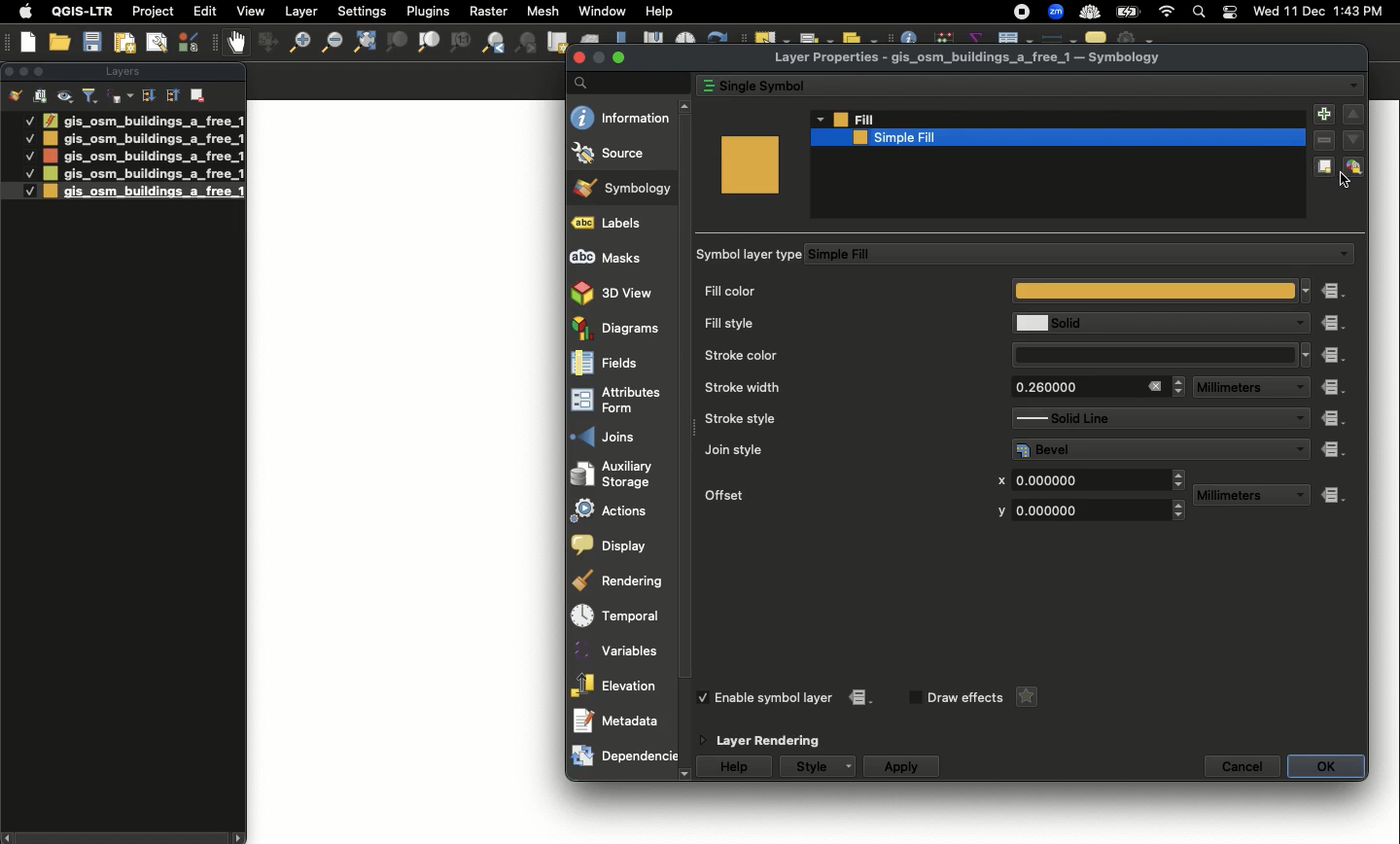 This screenshot has height=844, width=1400. Describe the element at coordinates (1361, 11) in the screenshot. I see `1:43 PM` at that location.